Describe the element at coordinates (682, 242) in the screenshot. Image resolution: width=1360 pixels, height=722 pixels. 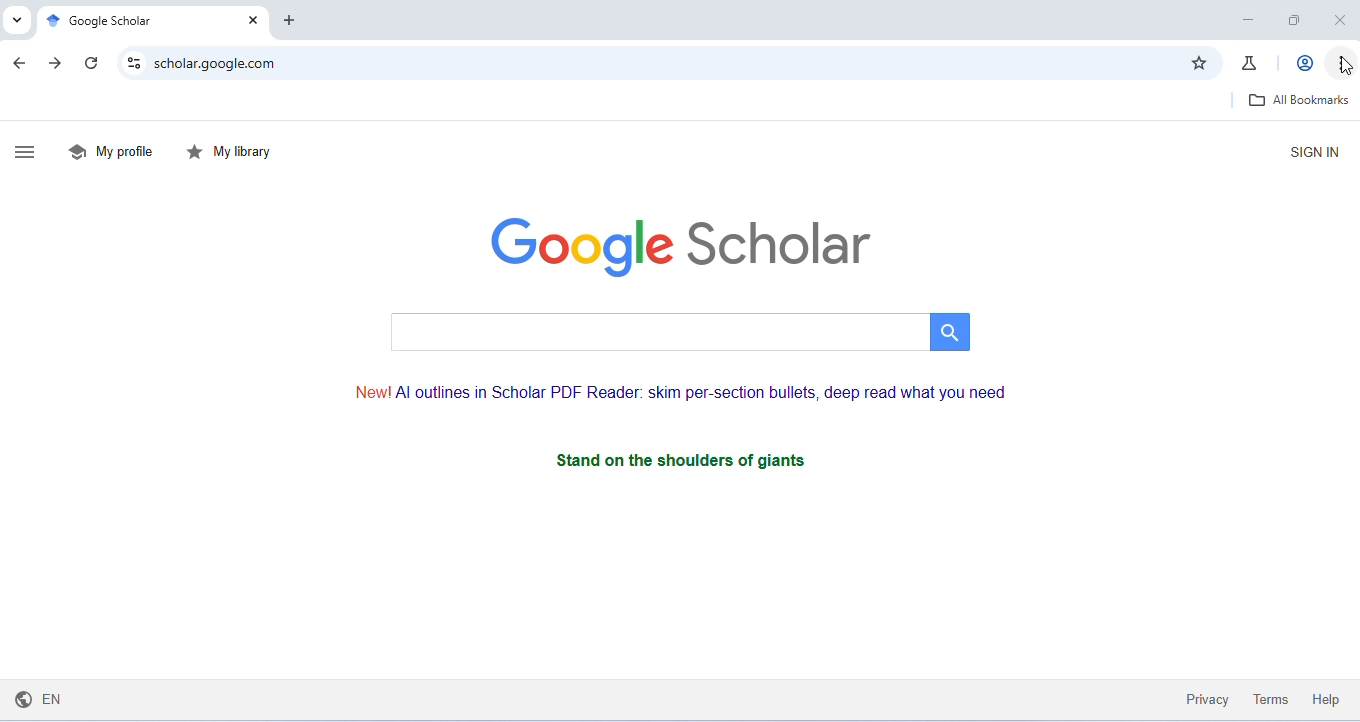
I see `google scholar logo` at that location.